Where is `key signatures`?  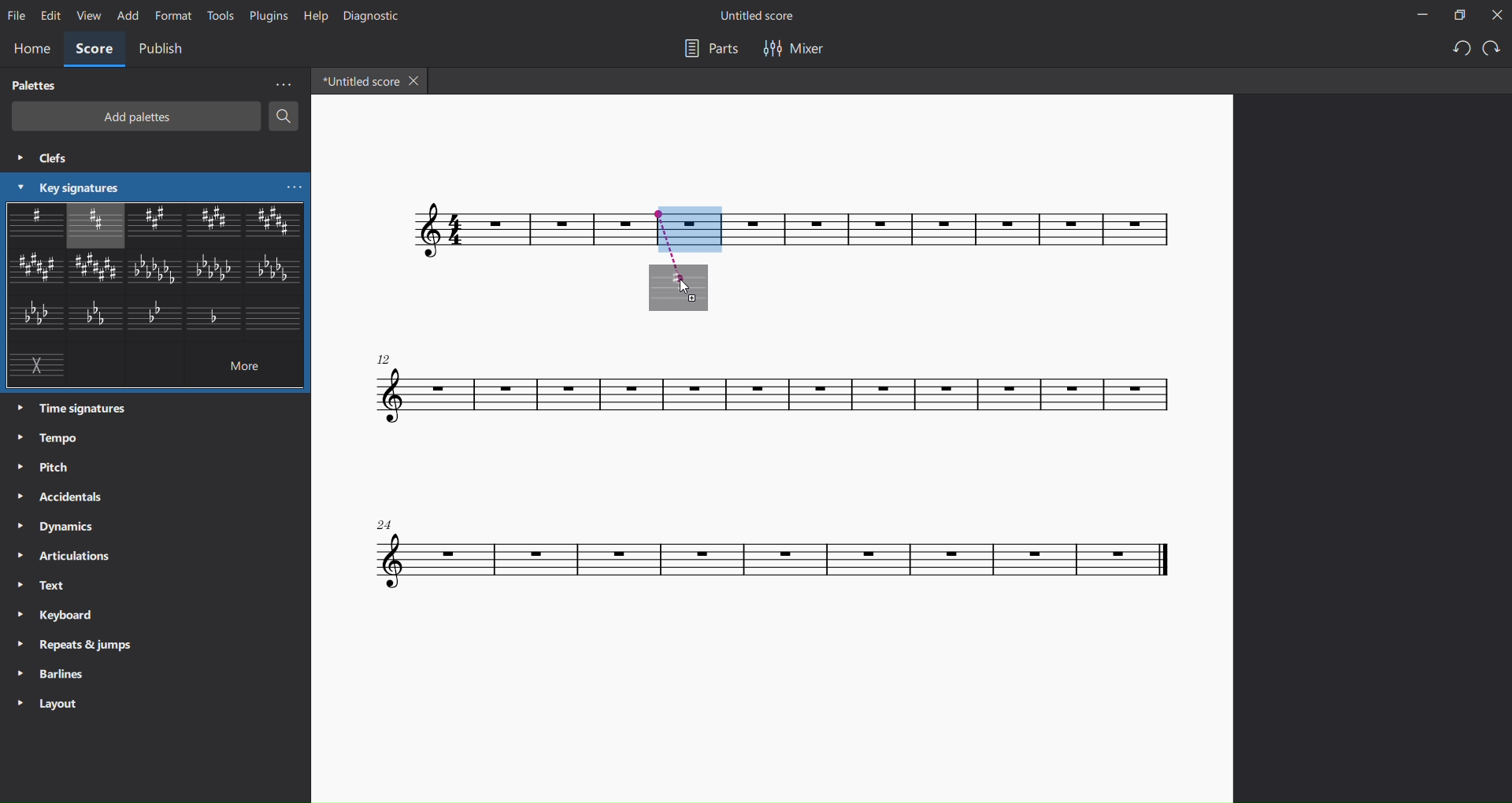
key signatures is located at coordinates (66, 185).